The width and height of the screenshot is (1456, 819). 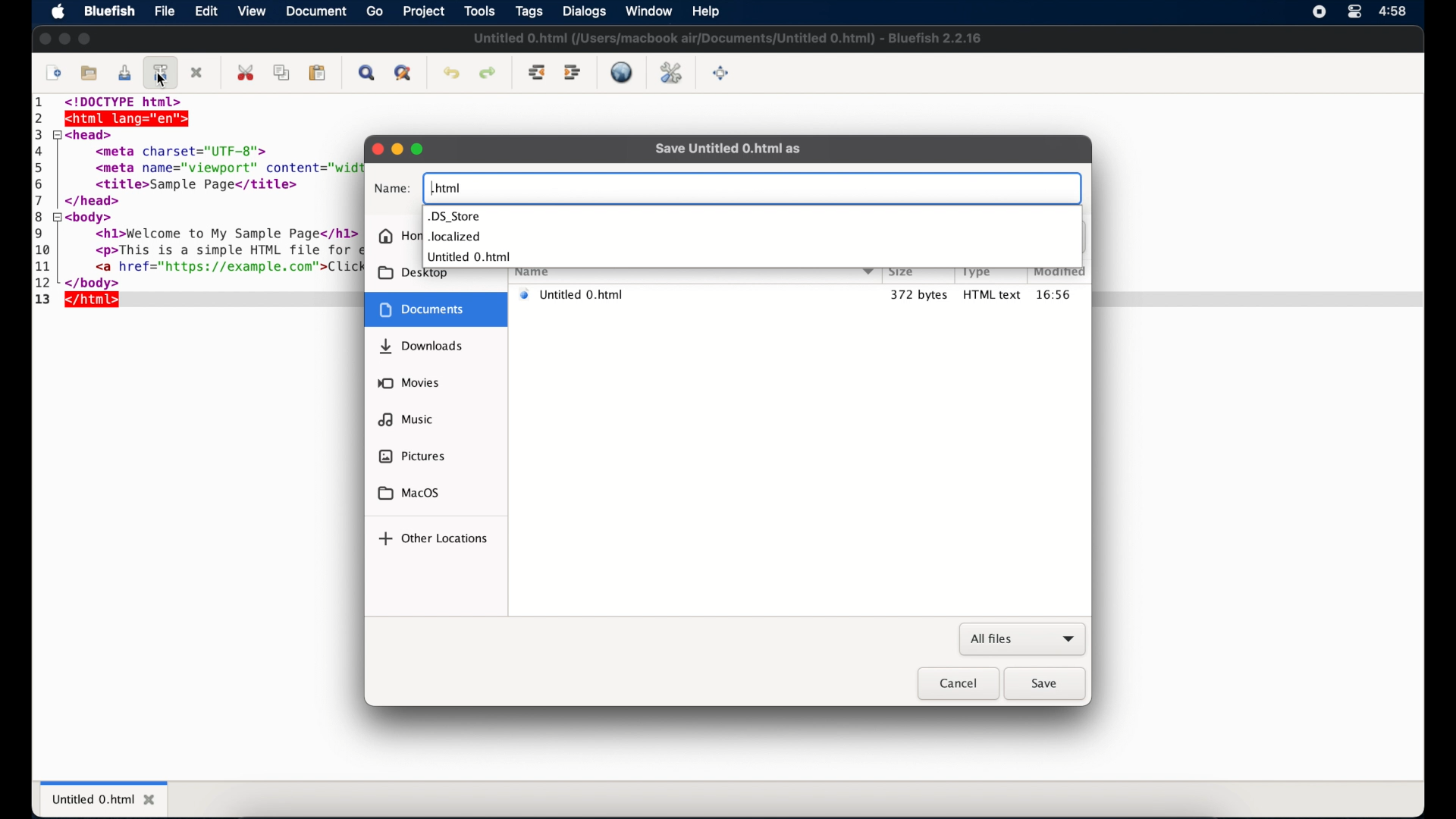 I want to click on untitled 0.html (/Users/macbook air/Documents/Untitled 0.html)-Bluefish 2.2.16, so click(x=733, y=37).